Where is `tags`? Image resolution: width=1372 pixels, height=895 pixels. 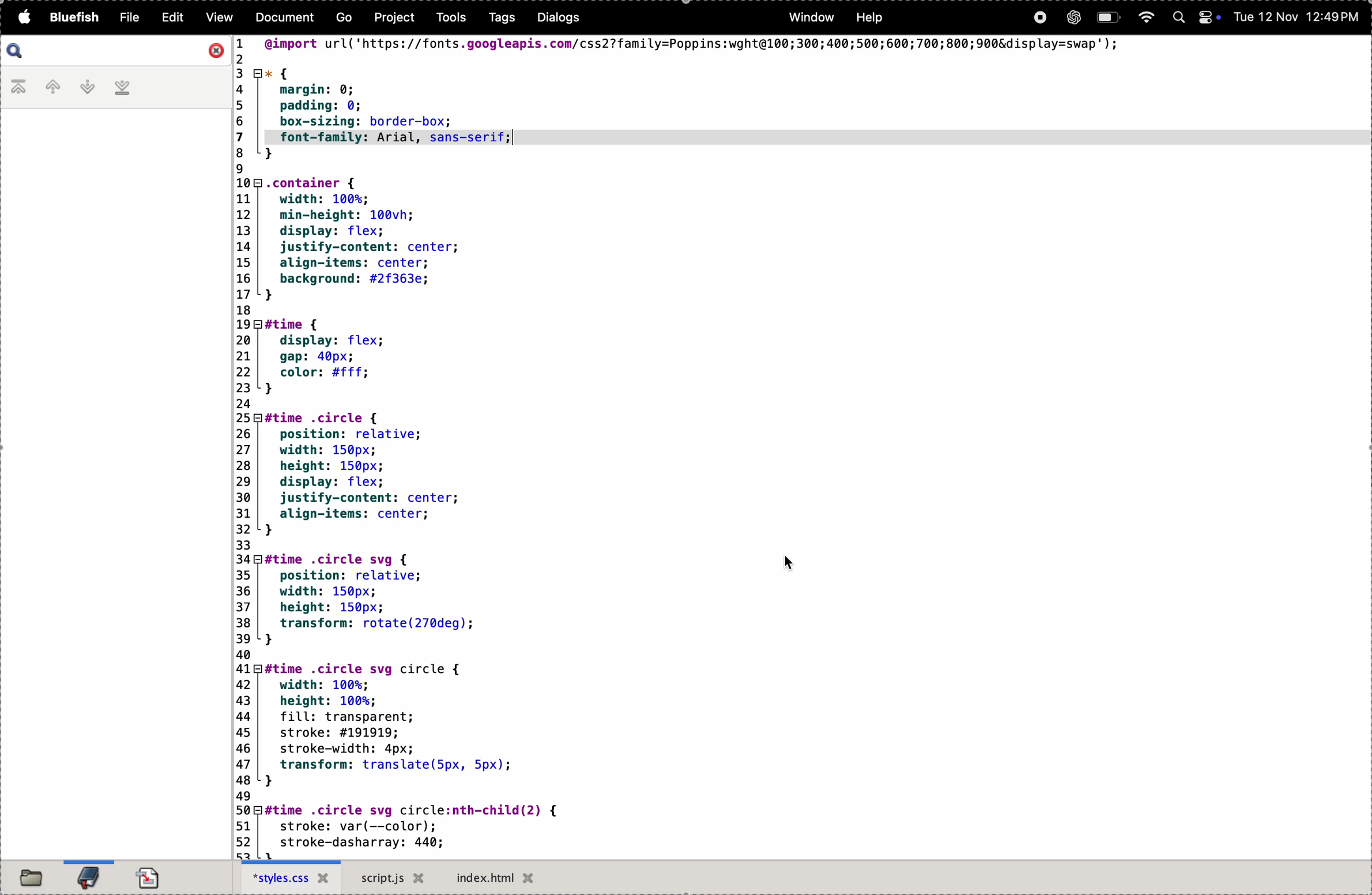
tags is located at coordinates (496, 20).